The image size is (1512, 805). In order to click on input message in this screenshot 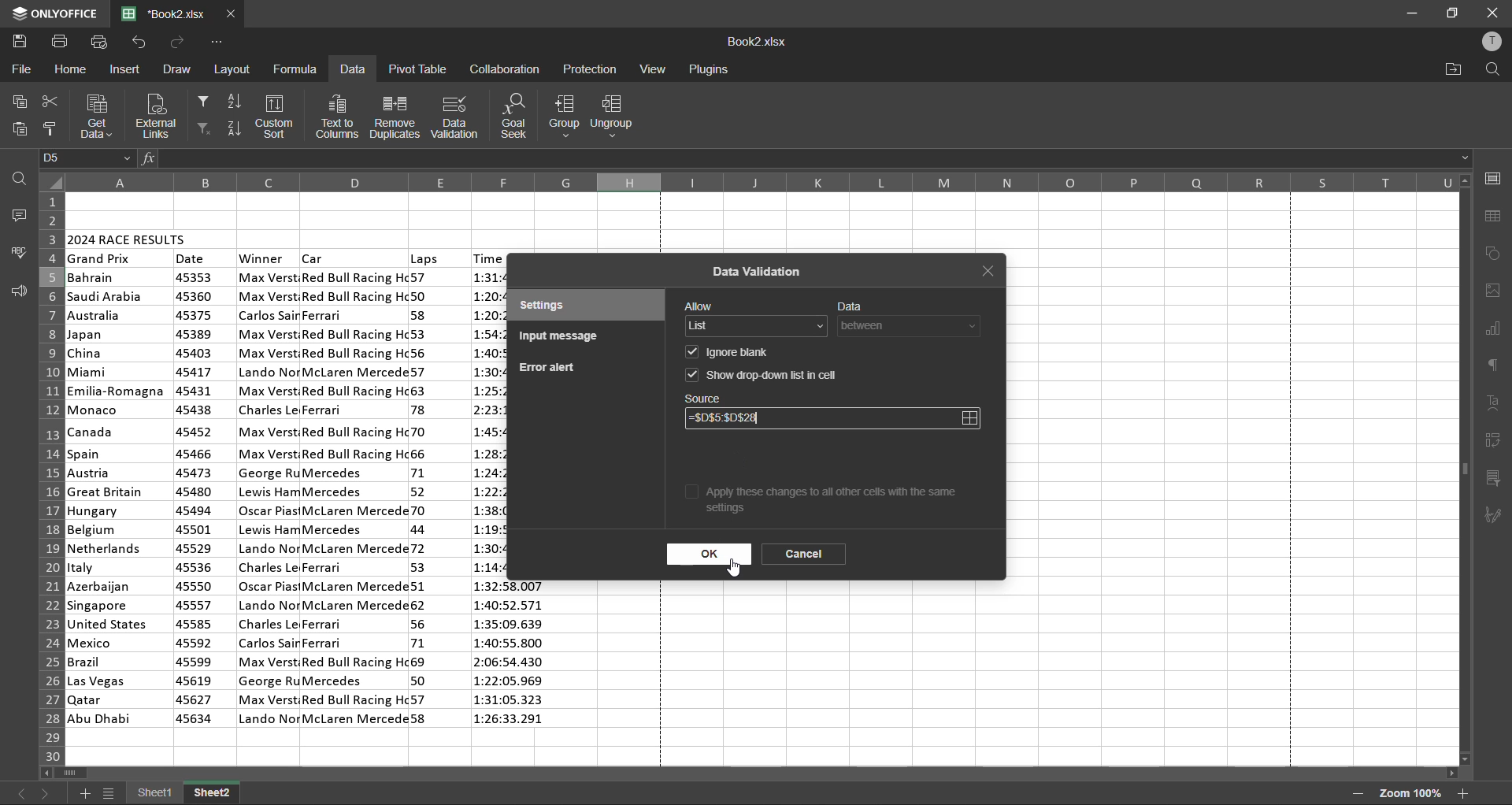, I will do `click(563, 338)`.